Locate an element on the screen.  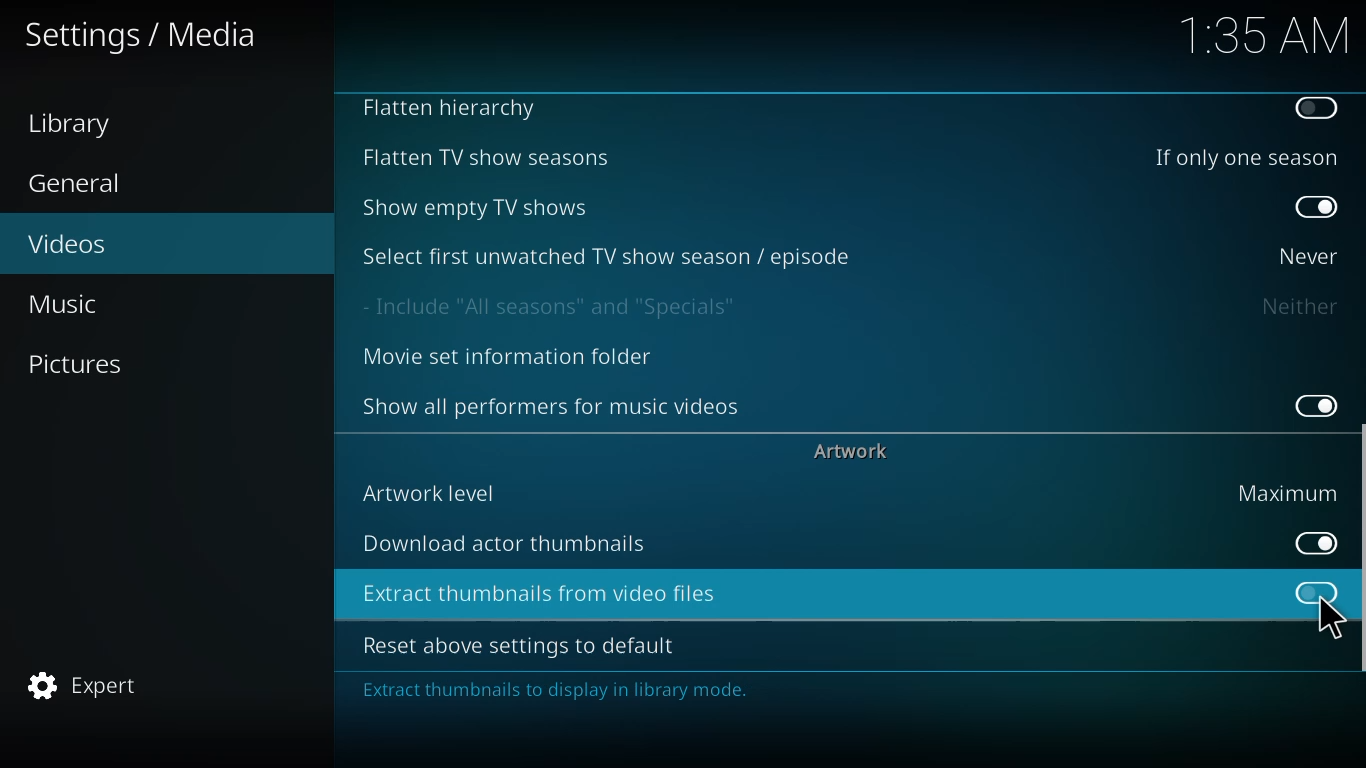
click to enable is located at coordinates (1306, 587).